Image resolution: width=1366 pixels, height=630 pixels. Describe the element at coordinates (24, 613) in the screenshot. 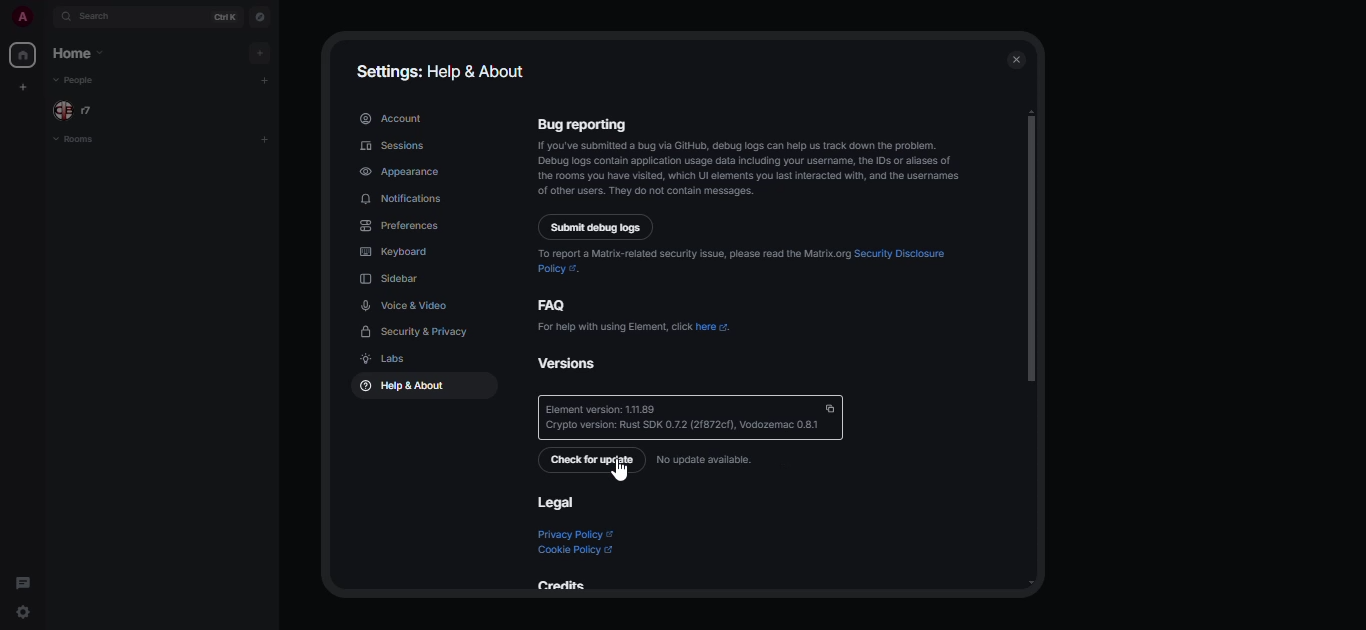

I see `quick settings` at that location.